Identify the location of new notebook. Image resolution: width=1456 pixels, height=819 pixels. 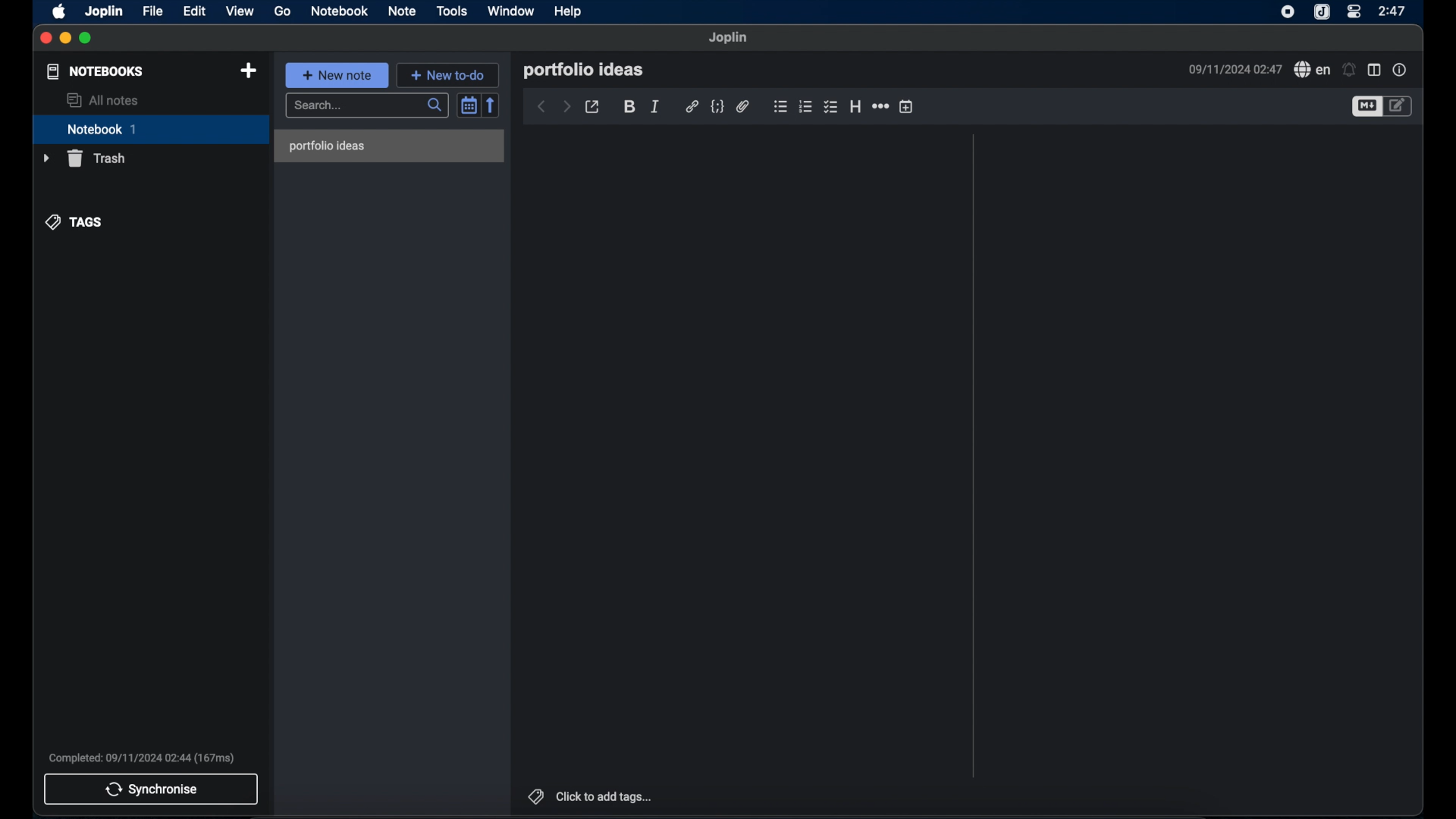
(248, 71).